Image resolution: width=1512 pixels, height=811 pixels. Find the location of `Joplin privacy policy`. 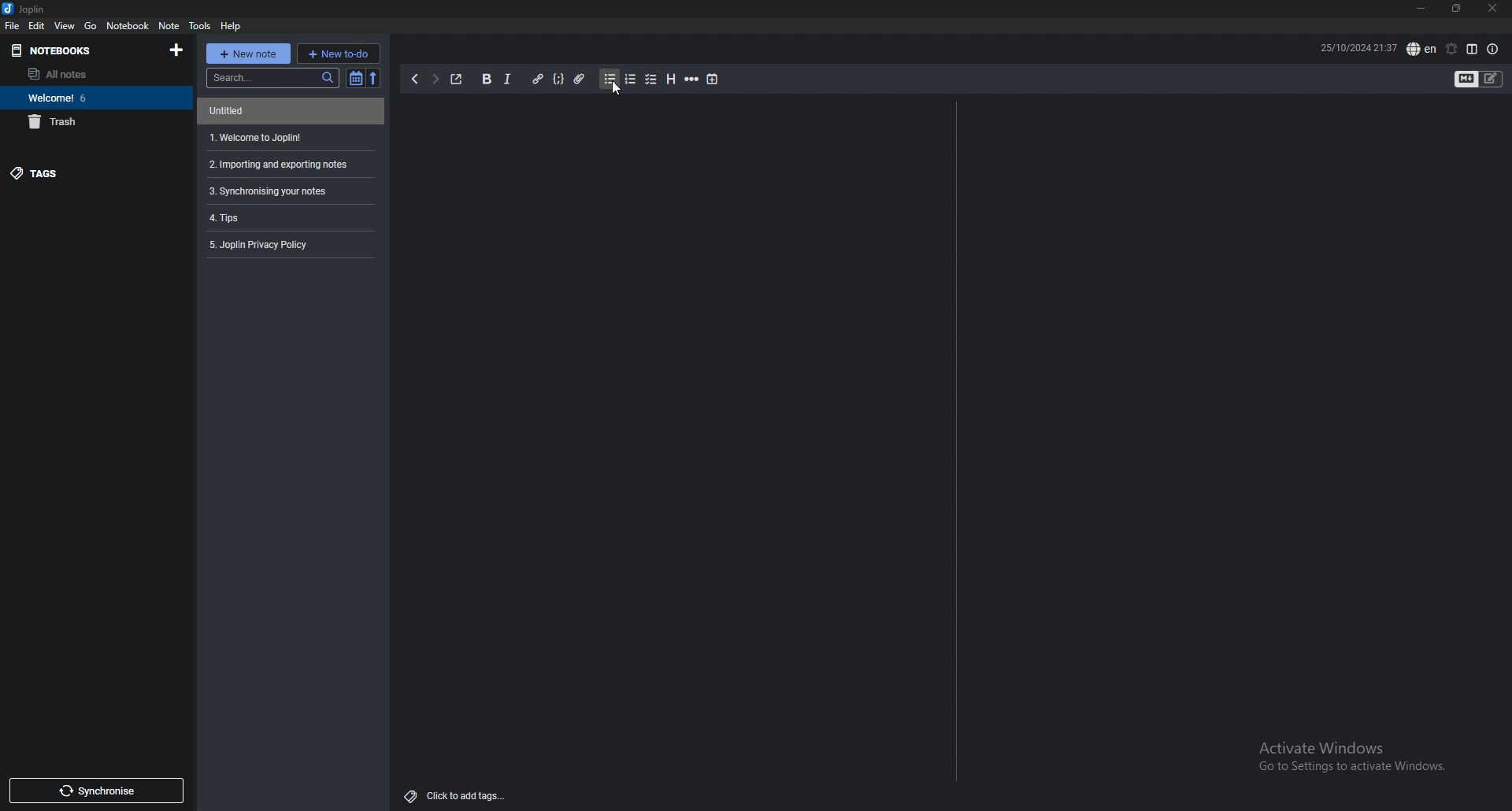

Joplin privacy policy is located at coordinates (266, 243).